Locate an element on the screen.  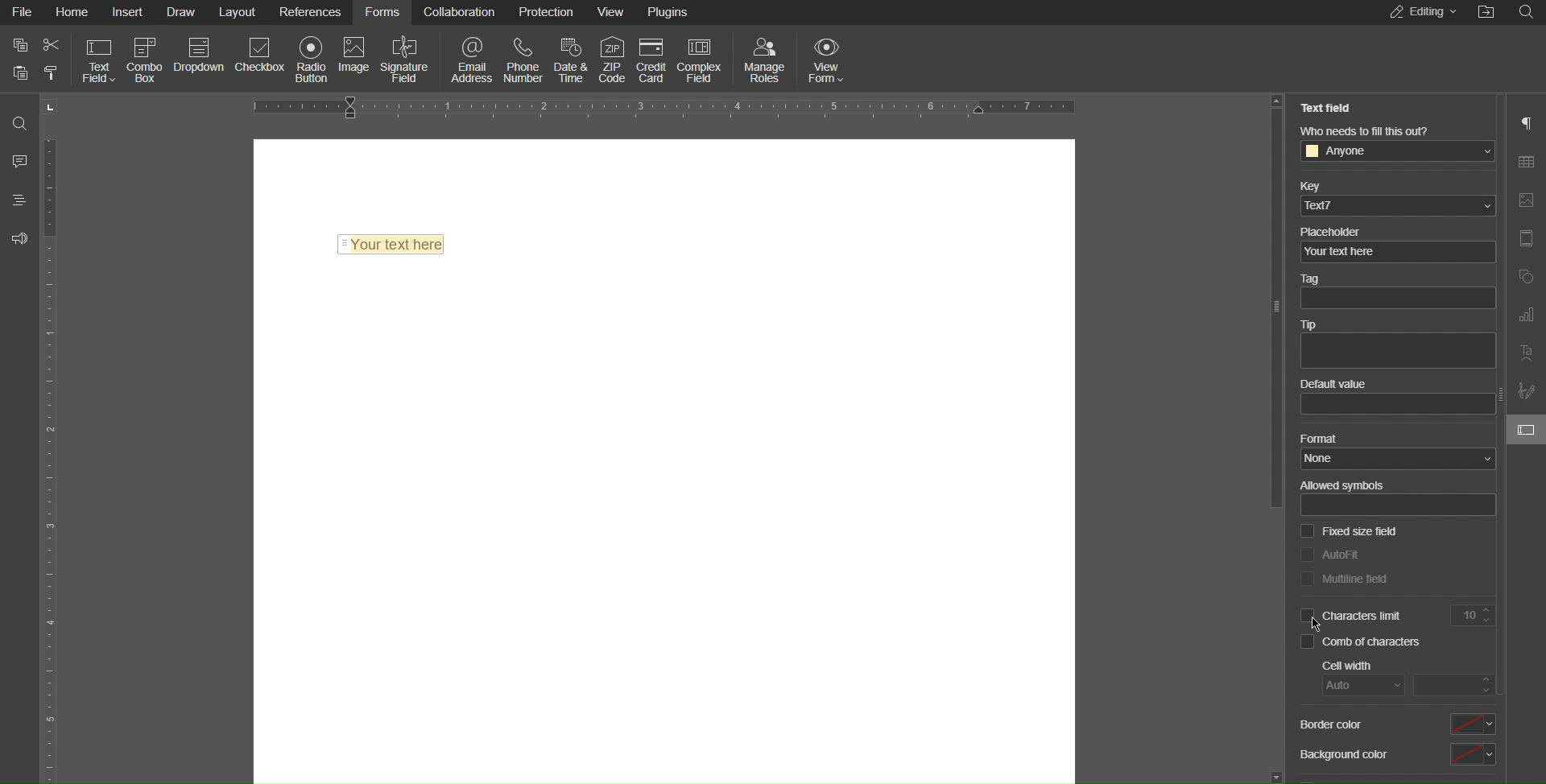
Comments is located at coordinates (18, 160).